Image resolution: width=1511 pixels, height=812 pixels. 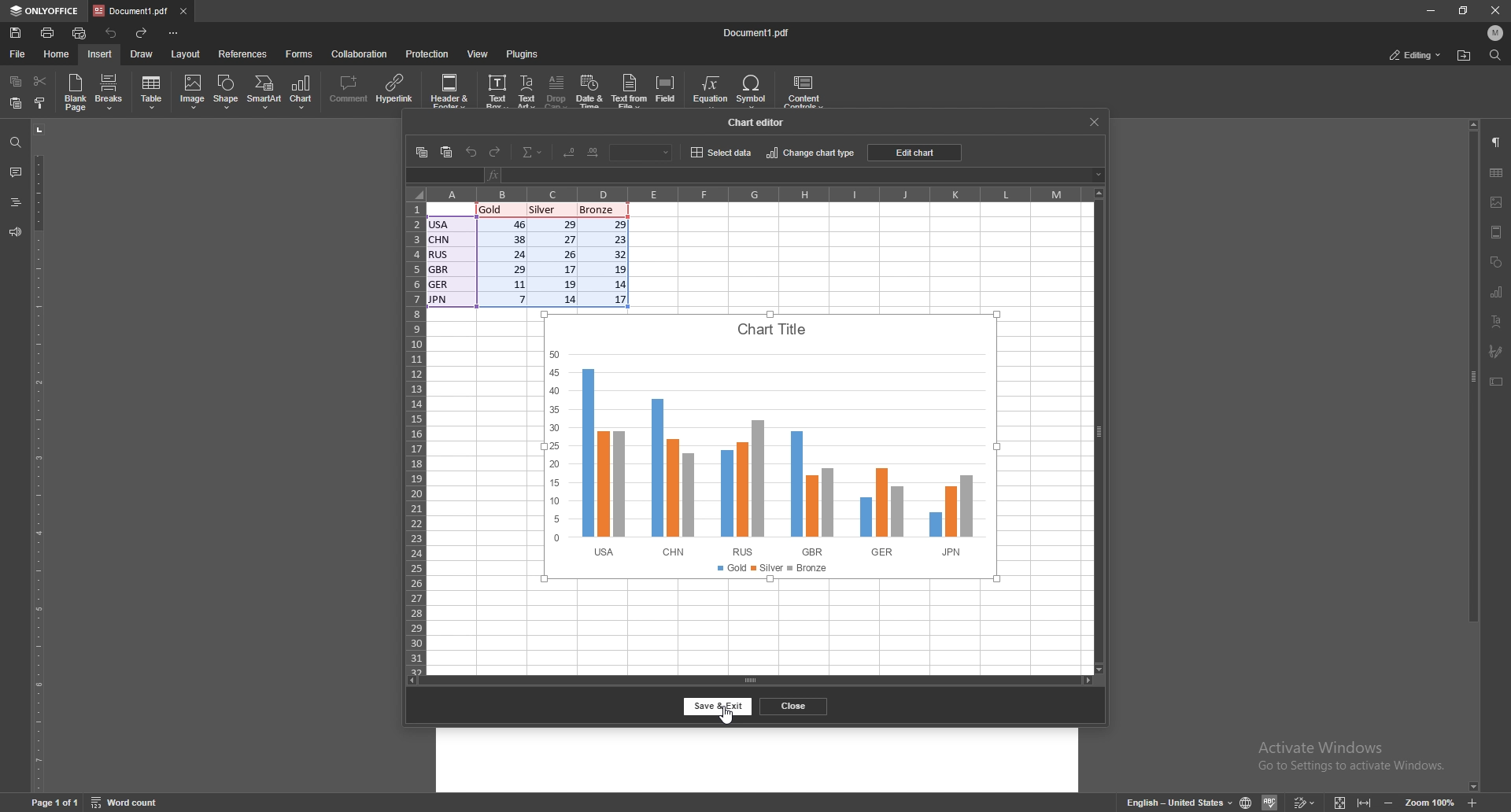 What do you see at coordinates (757, 32) in the screenshot?
I see `file name` at bounding box center [757, 32].